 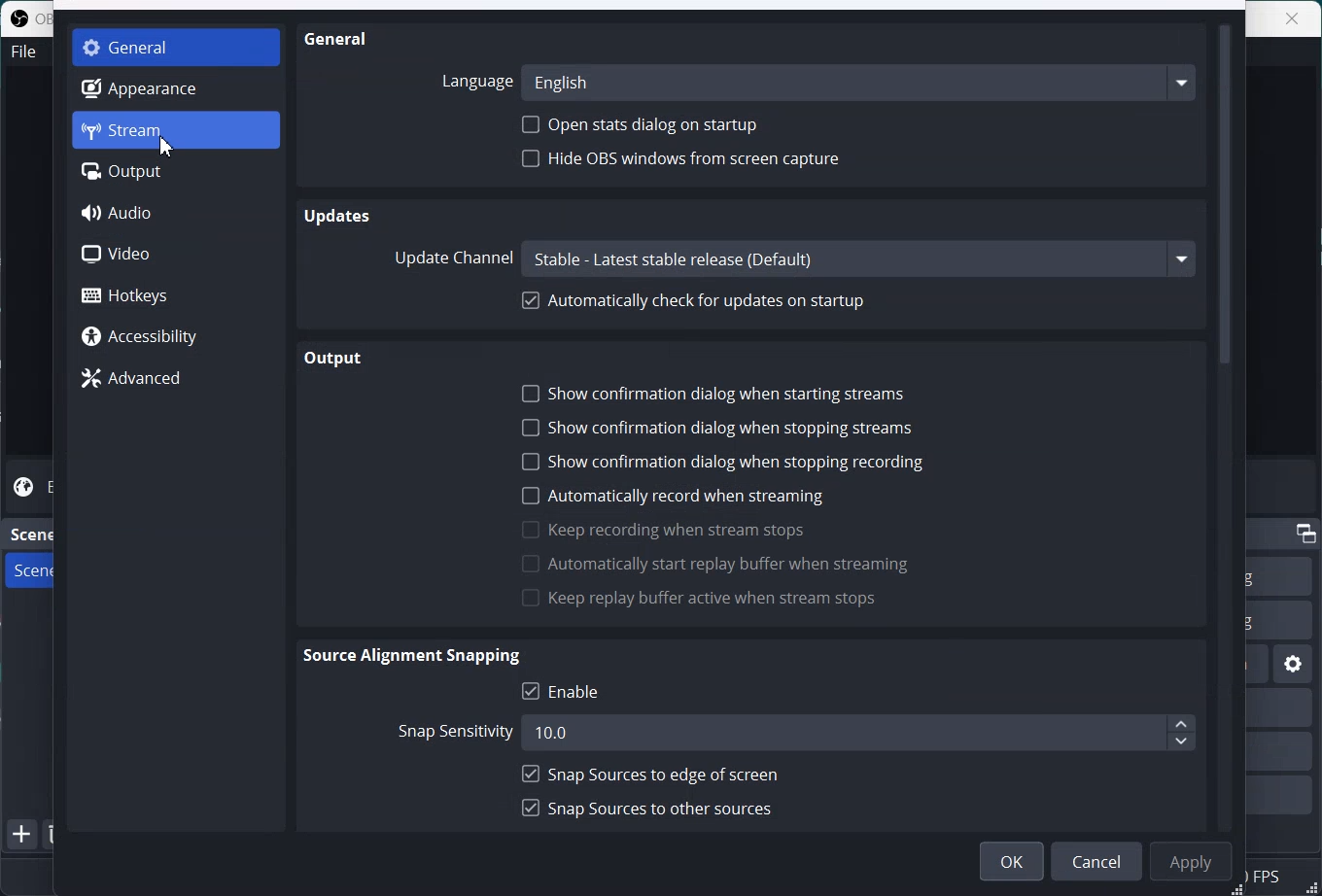 What do you see at coordinates (711, 564) in the screenshot?
I see `Automatically start replay buffer when streaming` at bounding box center [711, 564].